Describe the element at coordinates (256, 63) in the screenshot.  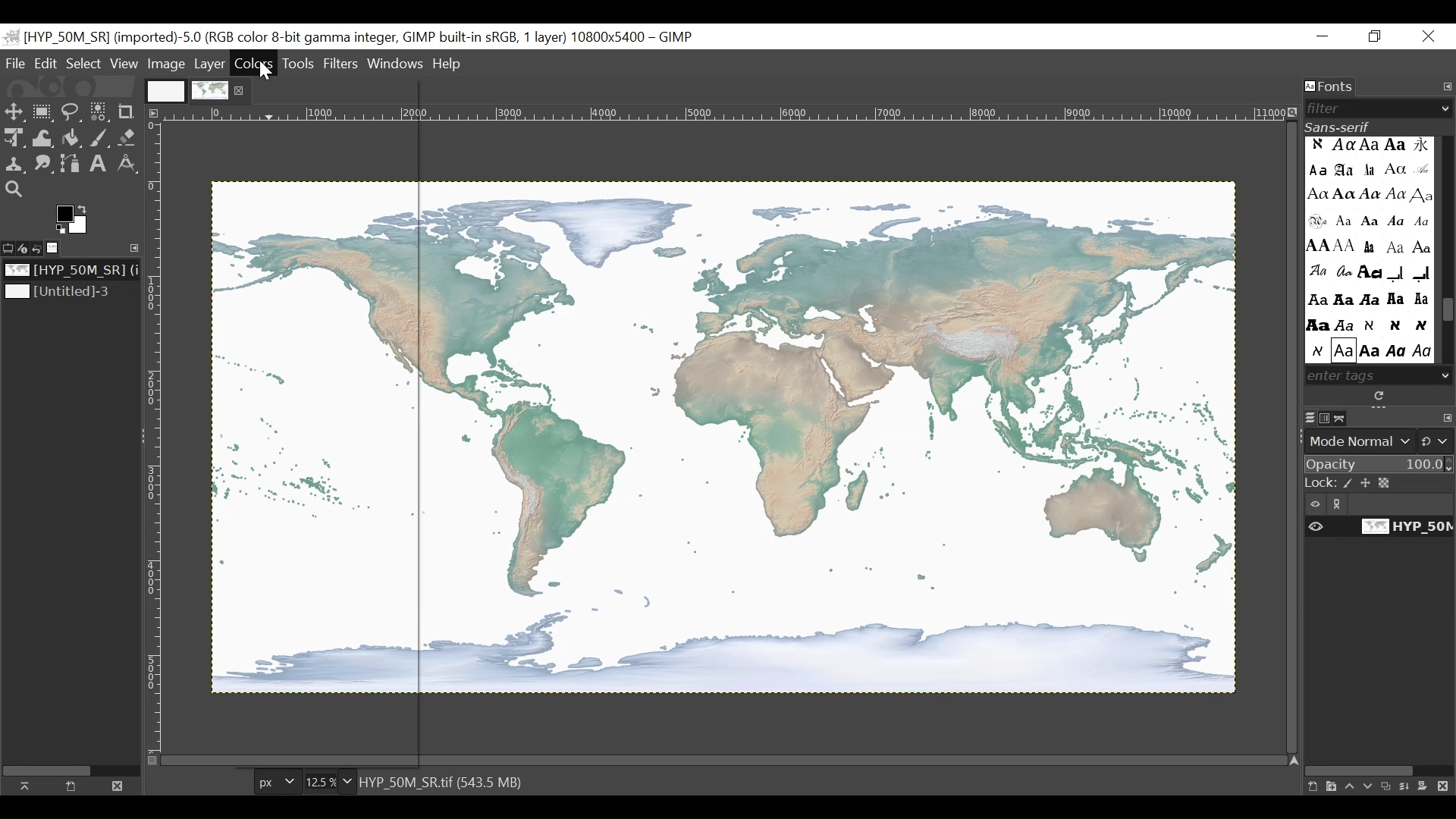
I see `Colors` at that location.